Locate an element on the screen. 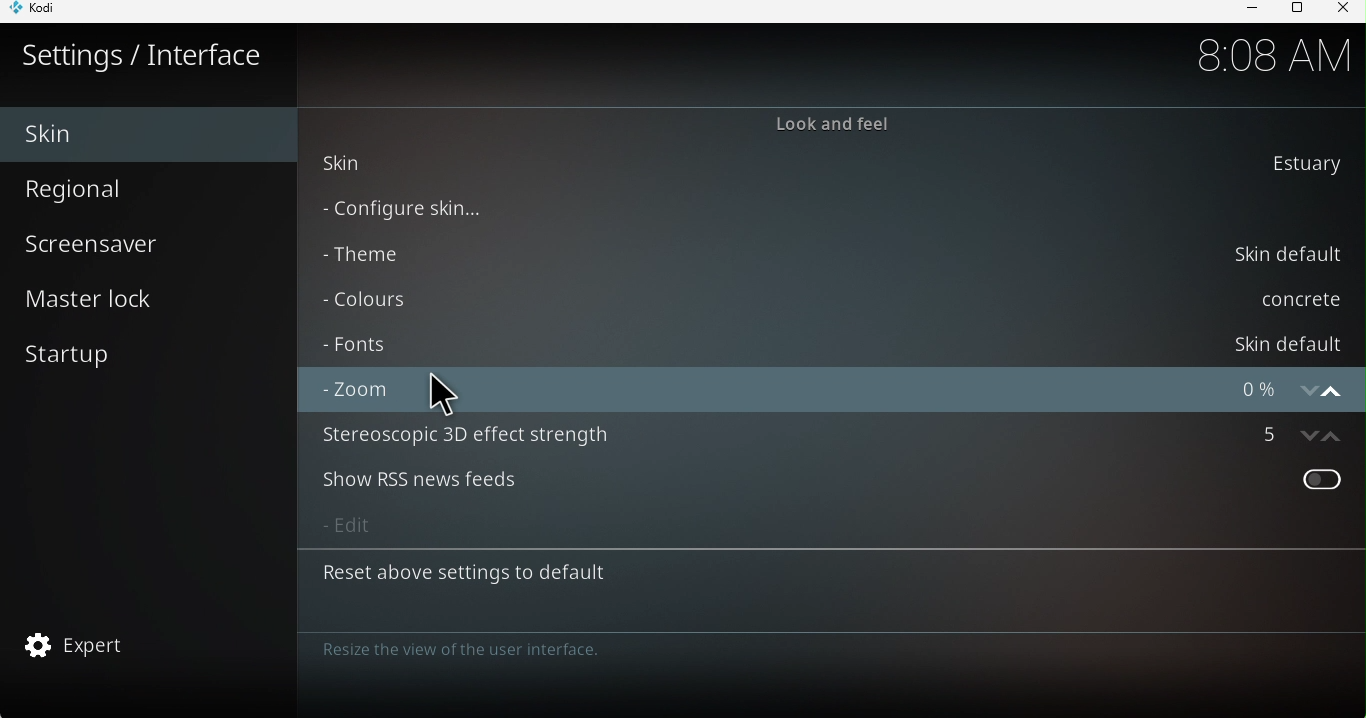 This screenshot has width=1366, height=718. Edit is located at coordinates (829, 524).